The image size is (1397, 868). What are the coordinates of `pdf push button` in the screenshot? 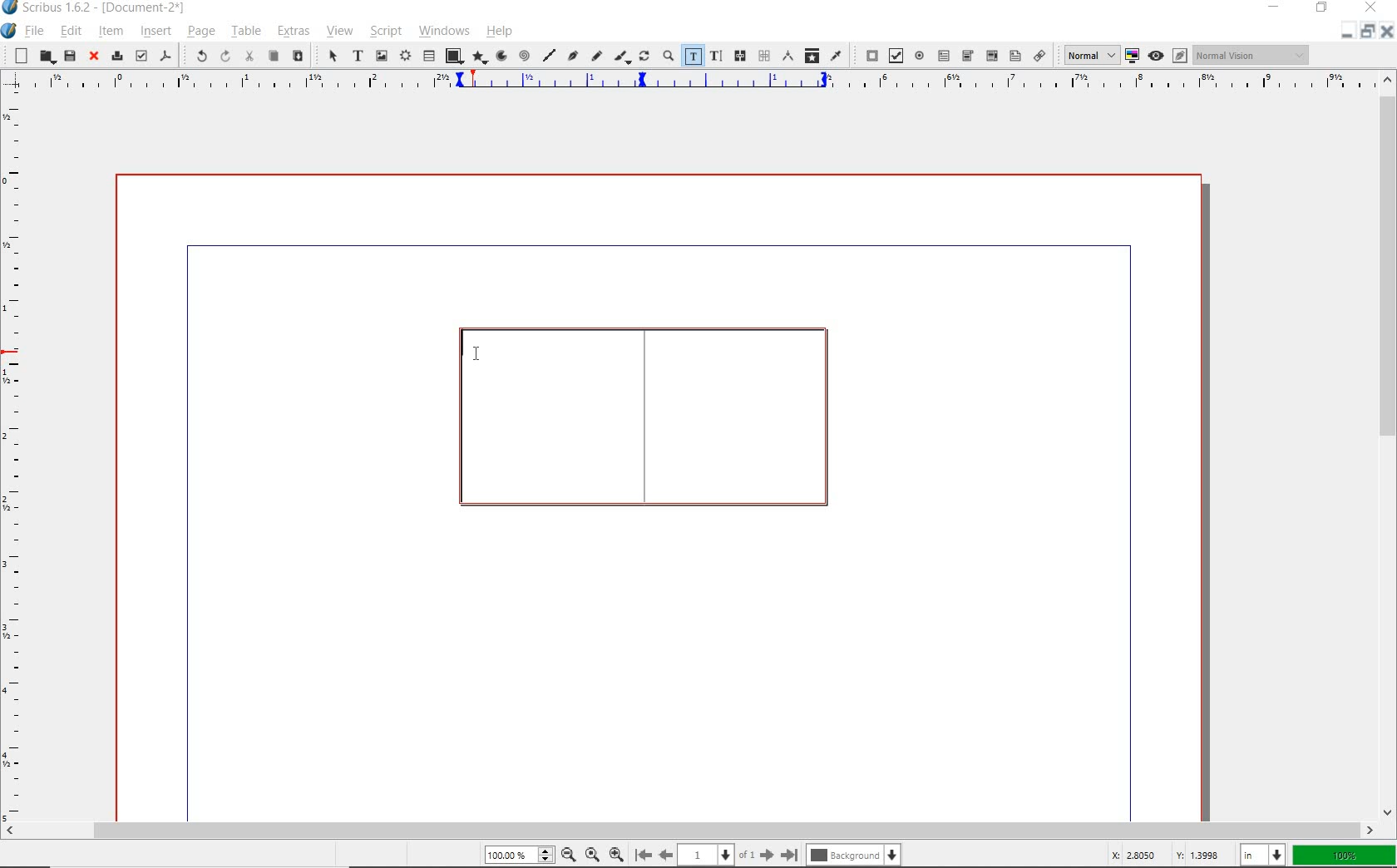 It's located at (866, 55).